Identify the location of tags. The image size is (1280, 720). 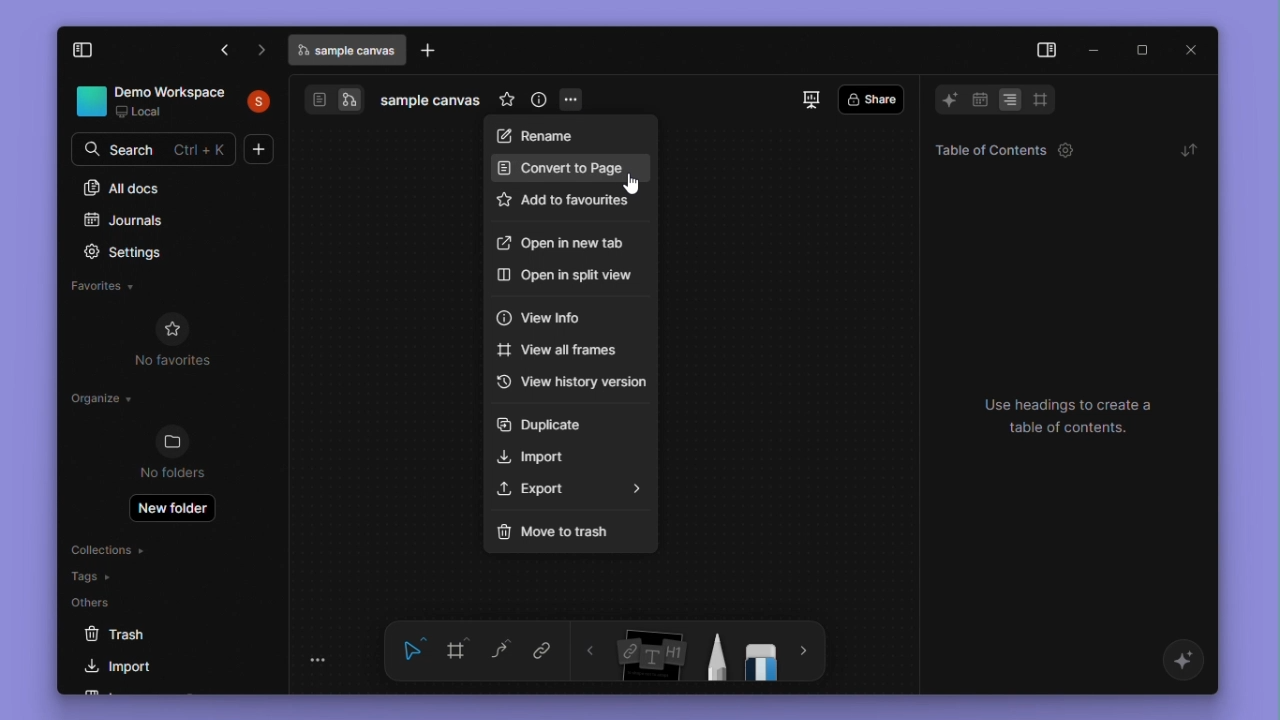
(92, 576).